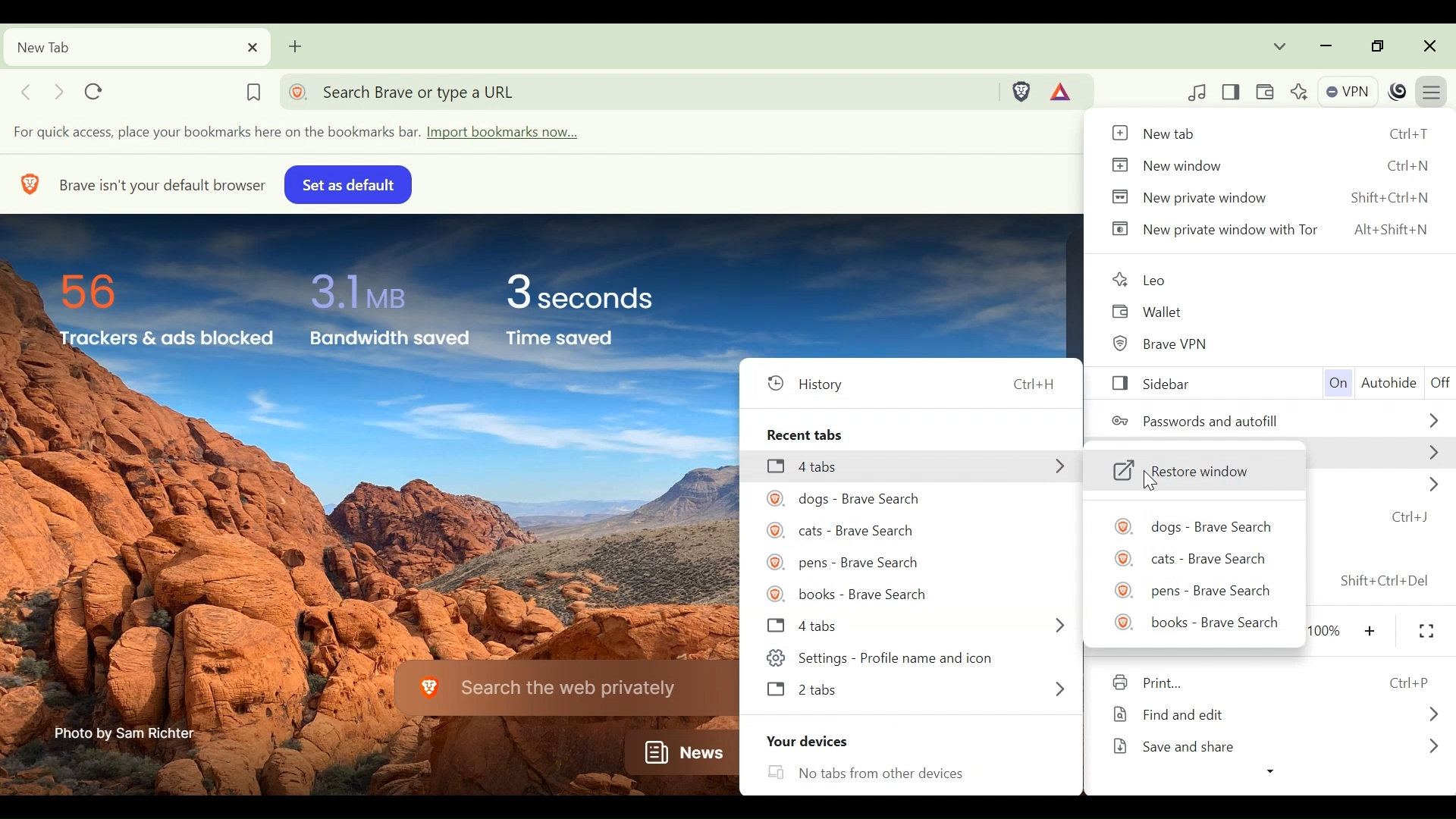  What do you see at coordinates (807, 432) in the screenshot?
I see `Recent tabs` at bounding box center [807, 432].